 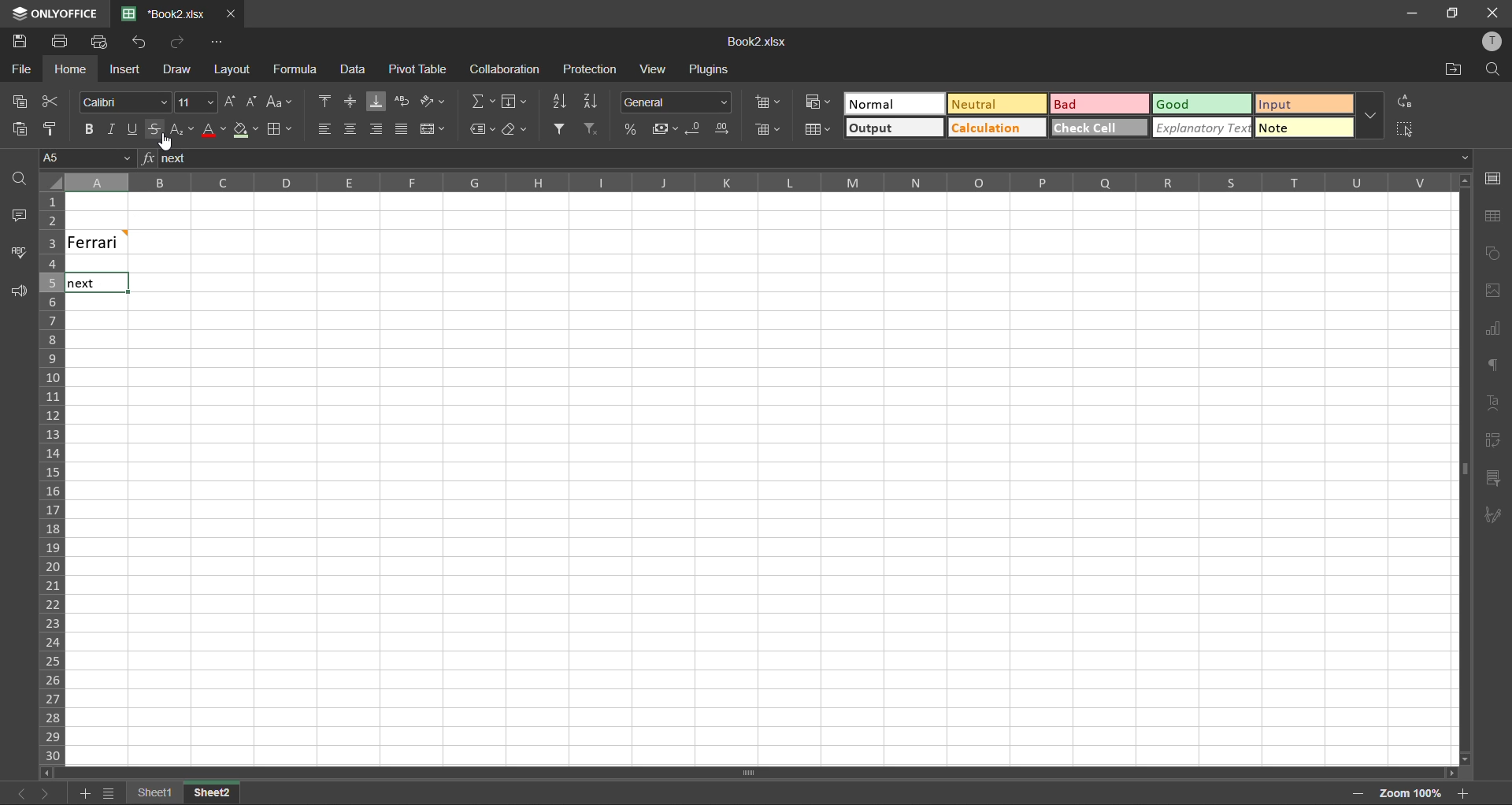 What do you see at coordinates (1496, 479) in the screenshot?
I see `slicer` at bounding box center [1496, 479].